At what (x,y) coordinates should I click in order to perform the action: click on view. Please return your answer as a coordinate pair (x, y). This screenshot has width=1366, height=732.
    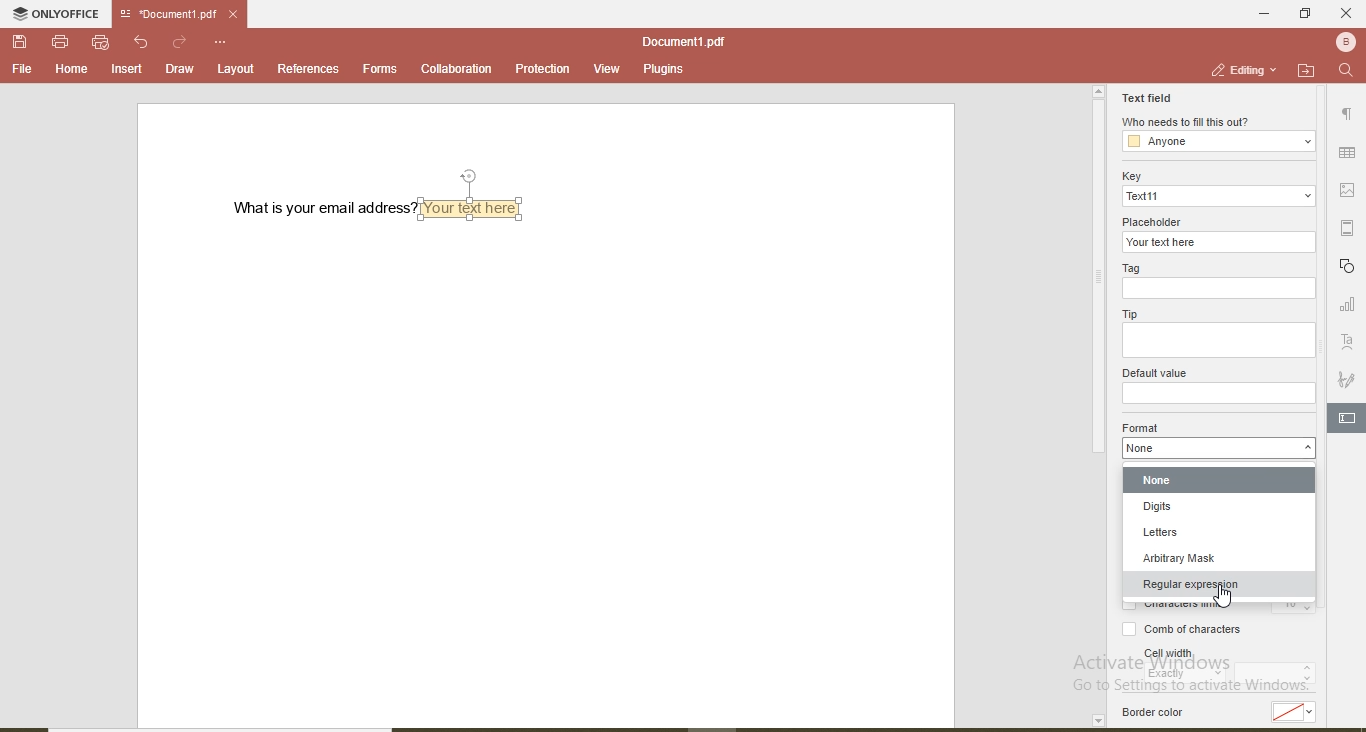
    Looking at the image, I should click on (605, 66).